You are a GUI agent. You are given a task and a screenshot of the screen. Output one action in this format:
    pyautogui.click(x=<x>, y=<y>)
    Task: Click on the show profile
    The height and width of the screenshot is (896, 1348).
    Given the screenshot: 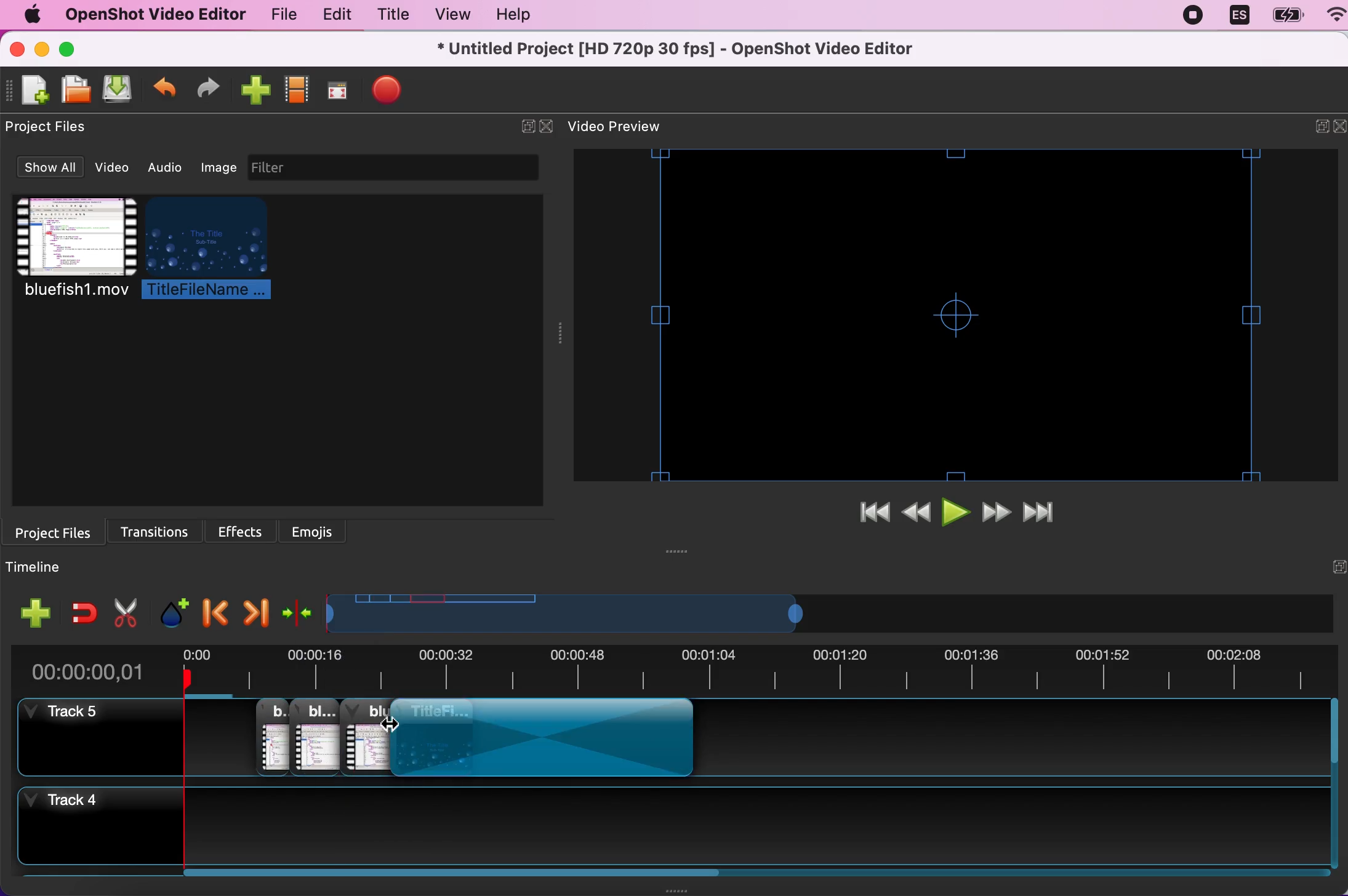 What is the action you would take?
    pyautogui.click(x=295, y=94)
    